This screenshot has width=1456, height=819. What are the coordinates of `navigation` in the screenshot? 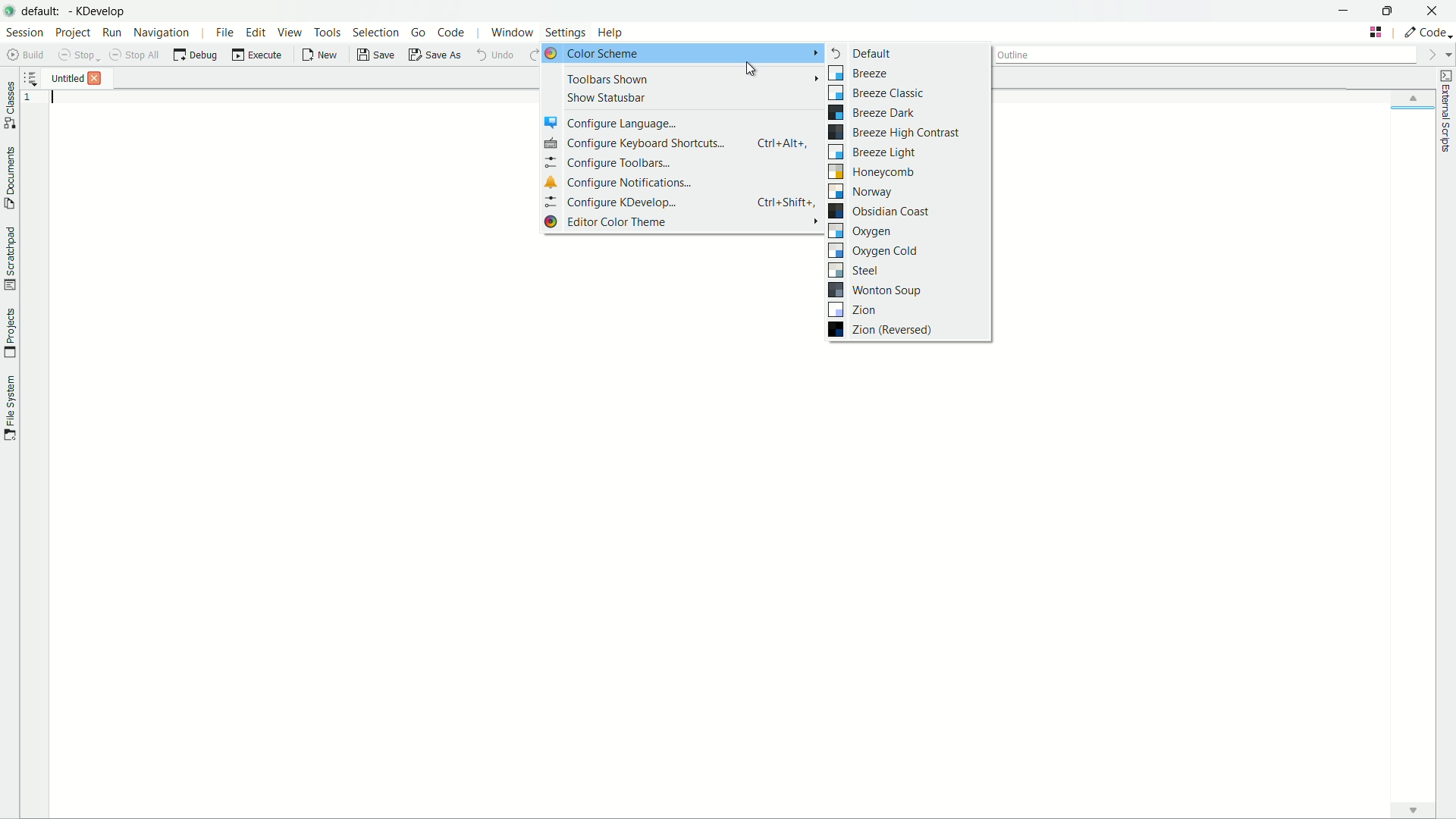 It's located at (162, 34).